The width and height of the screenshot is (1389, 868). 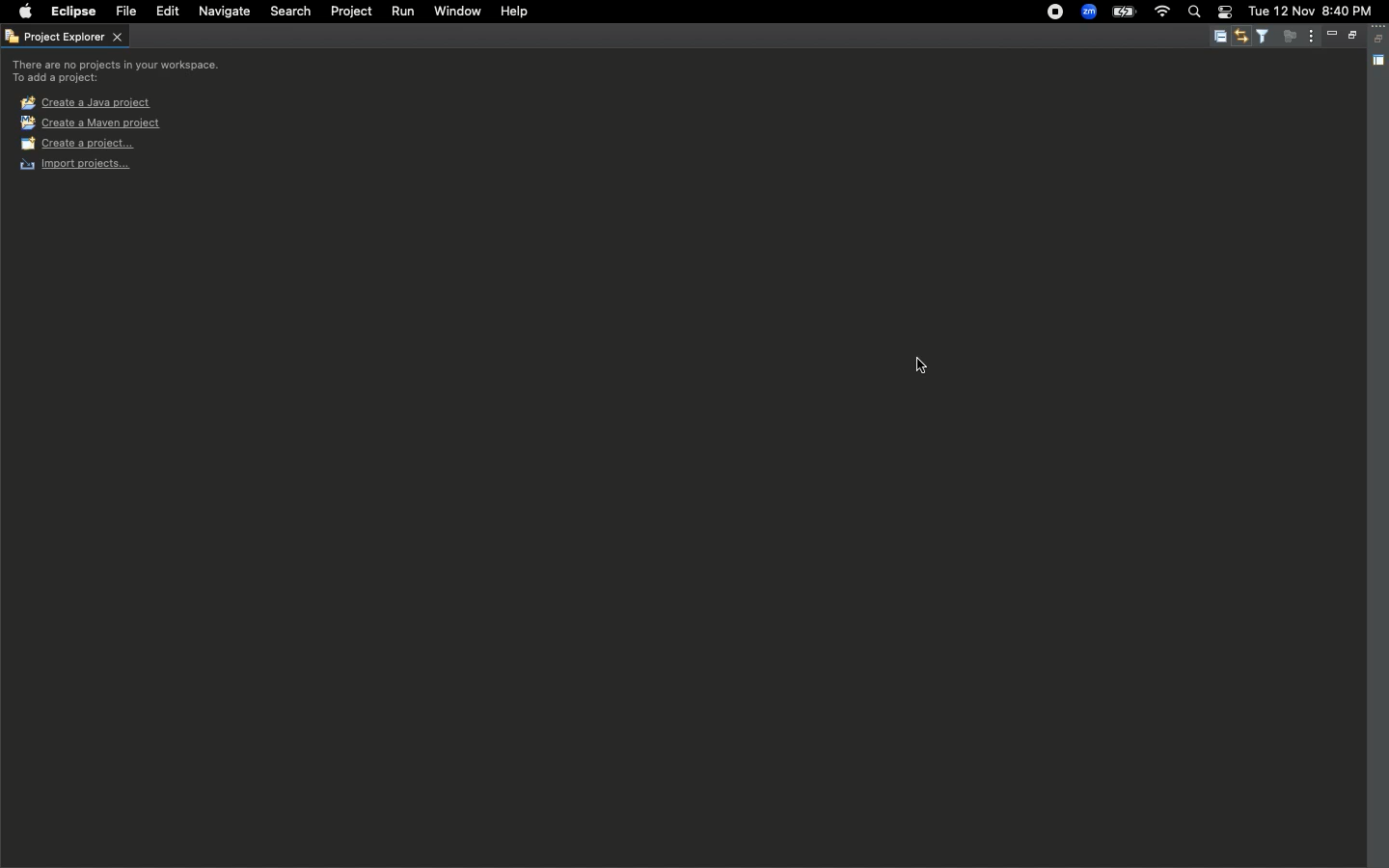 I want to click on Edit, so click(x=165, y=11).